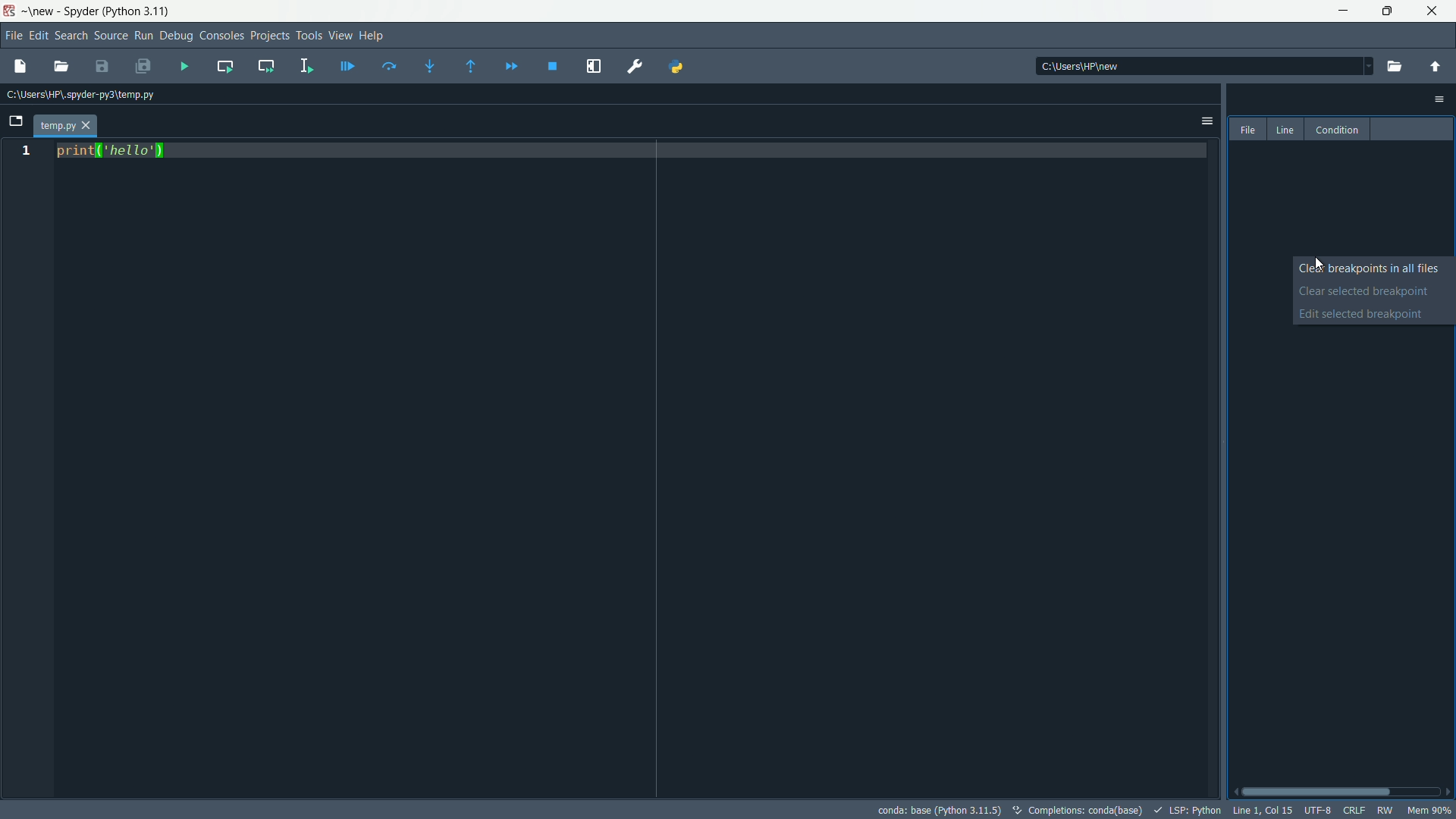 The width and height of the screenshot is (1456, 819). Describe the element at coordinates (551, 67) in the screenshot. I see `stop debugging` at that location.